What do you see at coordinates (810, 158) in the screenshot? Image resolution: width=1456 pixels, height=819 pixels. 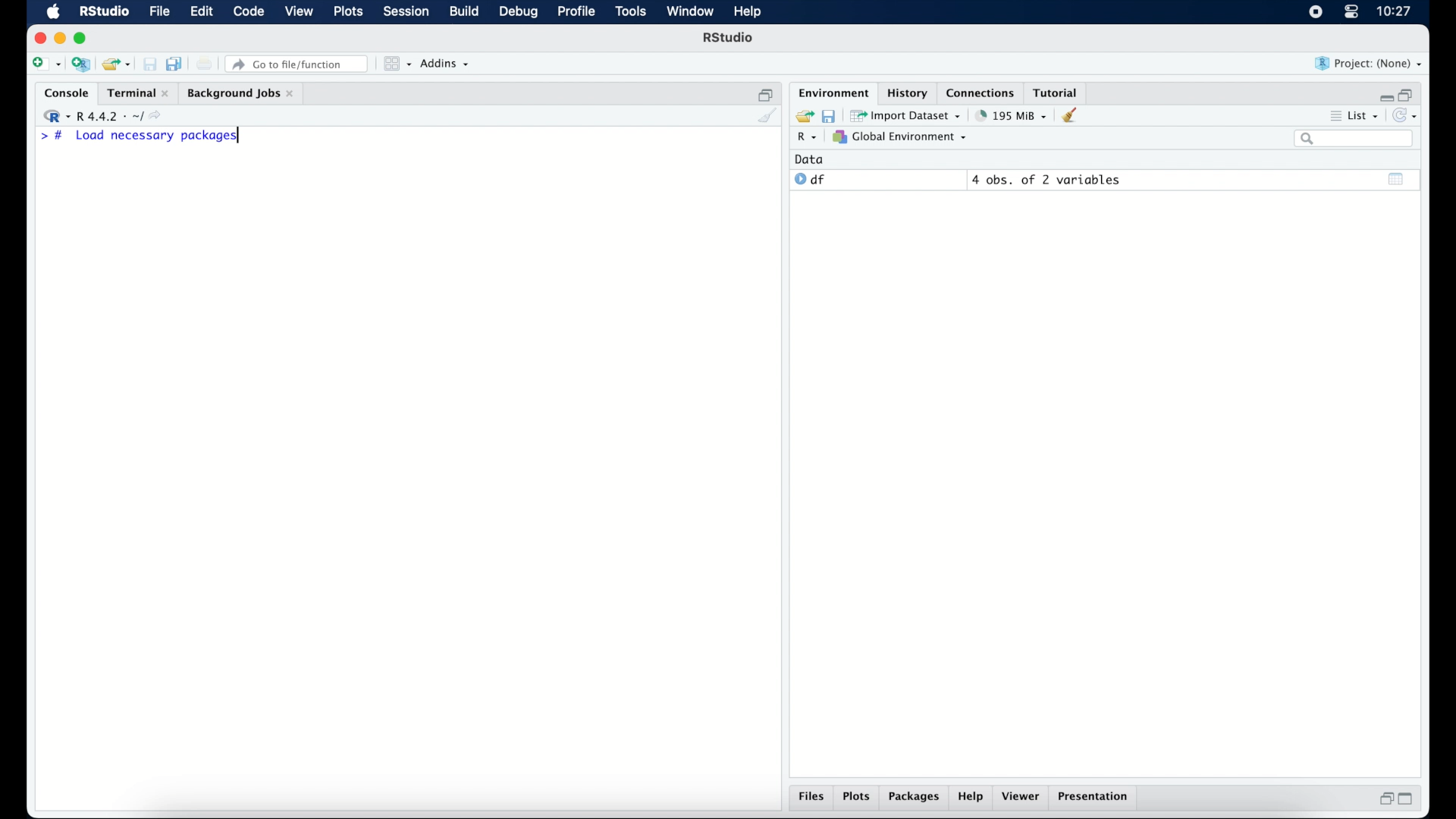 I see `date` at bounding box center [810, 158].